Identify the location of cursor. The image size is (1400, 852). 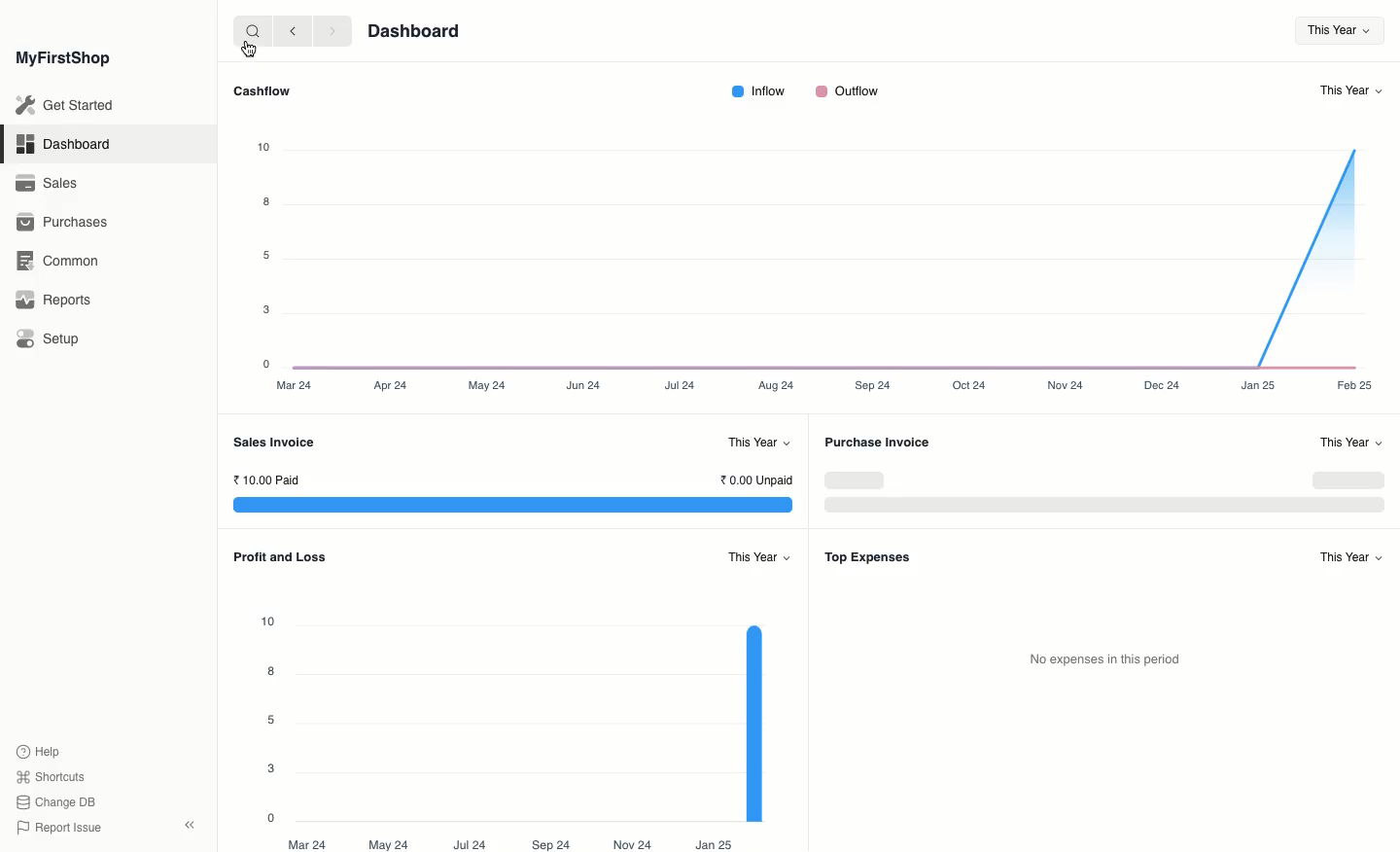
(243, 50).